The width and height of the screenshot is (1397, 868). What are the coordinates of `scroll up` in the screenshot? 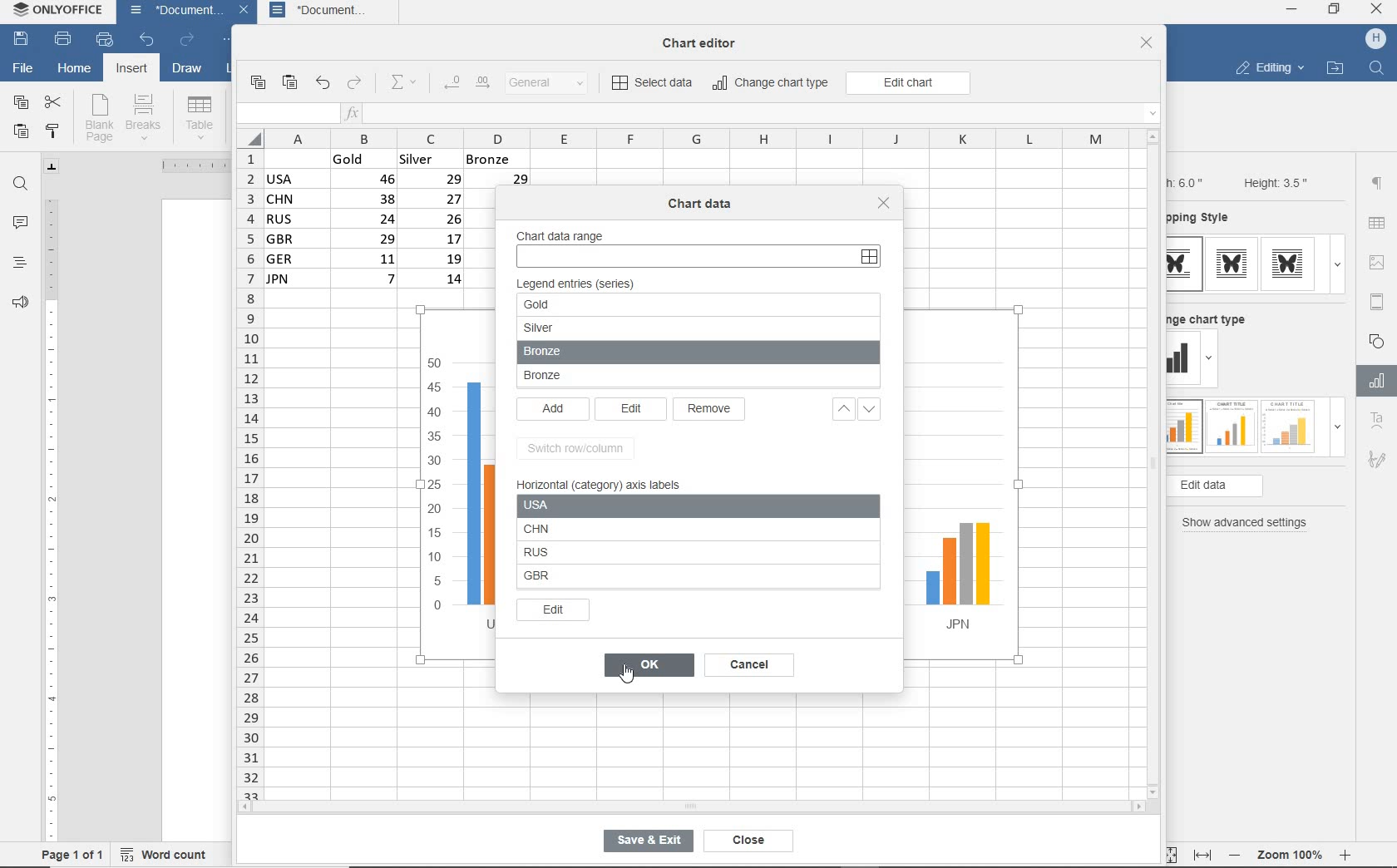 It's located at (1153, 136).